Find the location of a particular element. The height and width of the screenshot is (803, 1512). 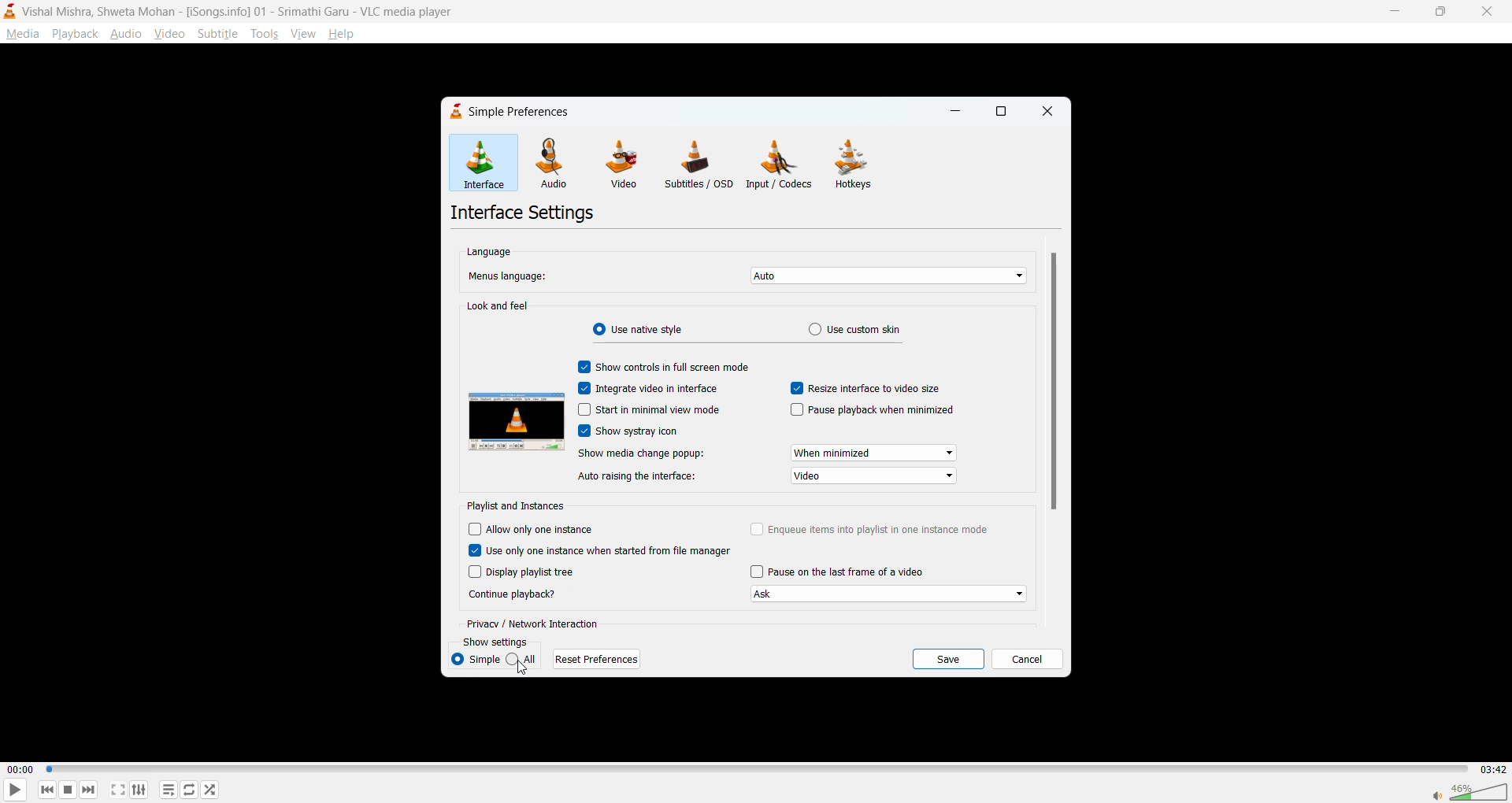

playback is located at coordinates (74, 33).